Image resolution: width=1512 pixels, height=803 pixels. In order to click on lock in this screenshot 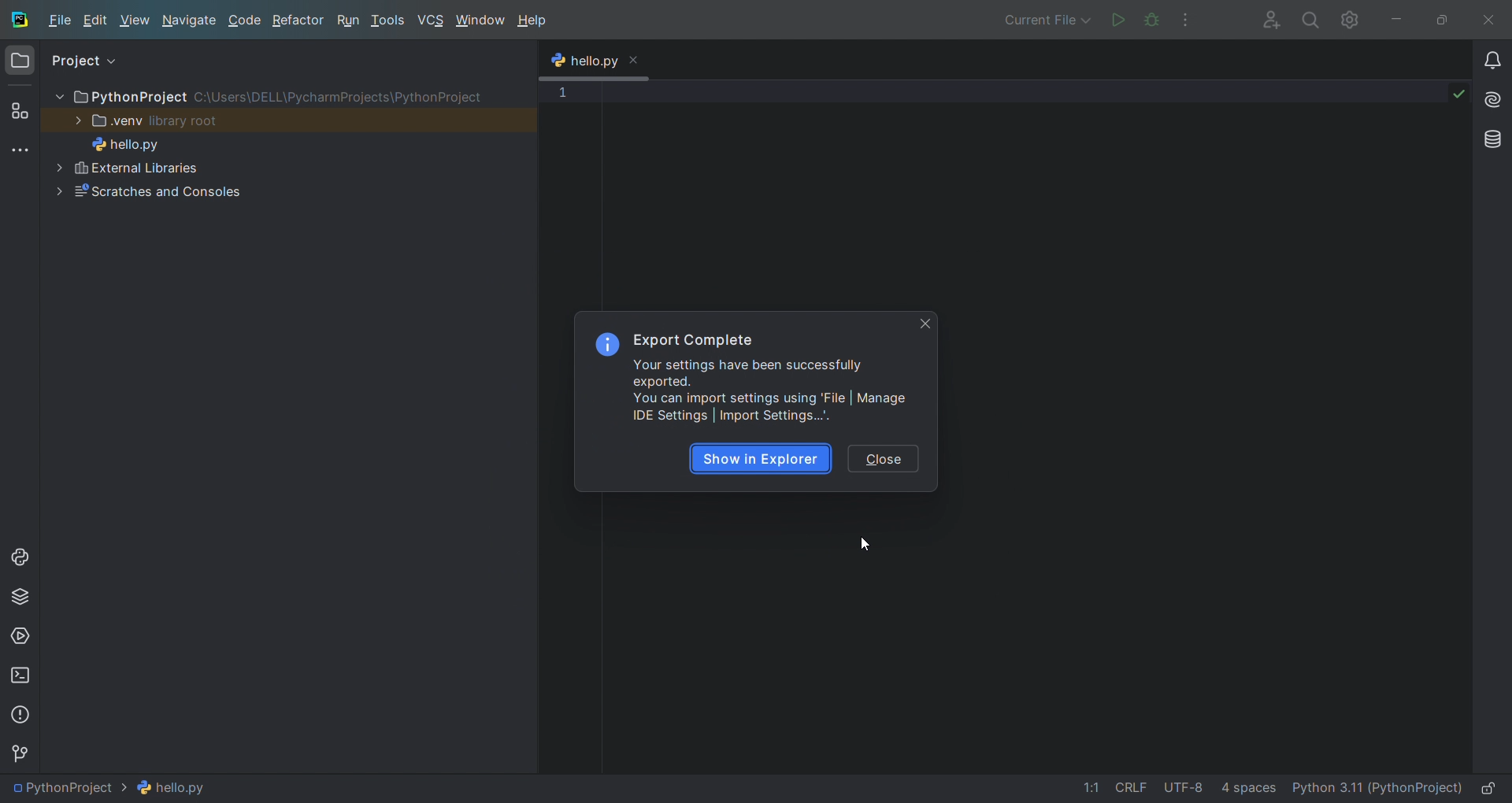, I will do `click(1488, 785)`.